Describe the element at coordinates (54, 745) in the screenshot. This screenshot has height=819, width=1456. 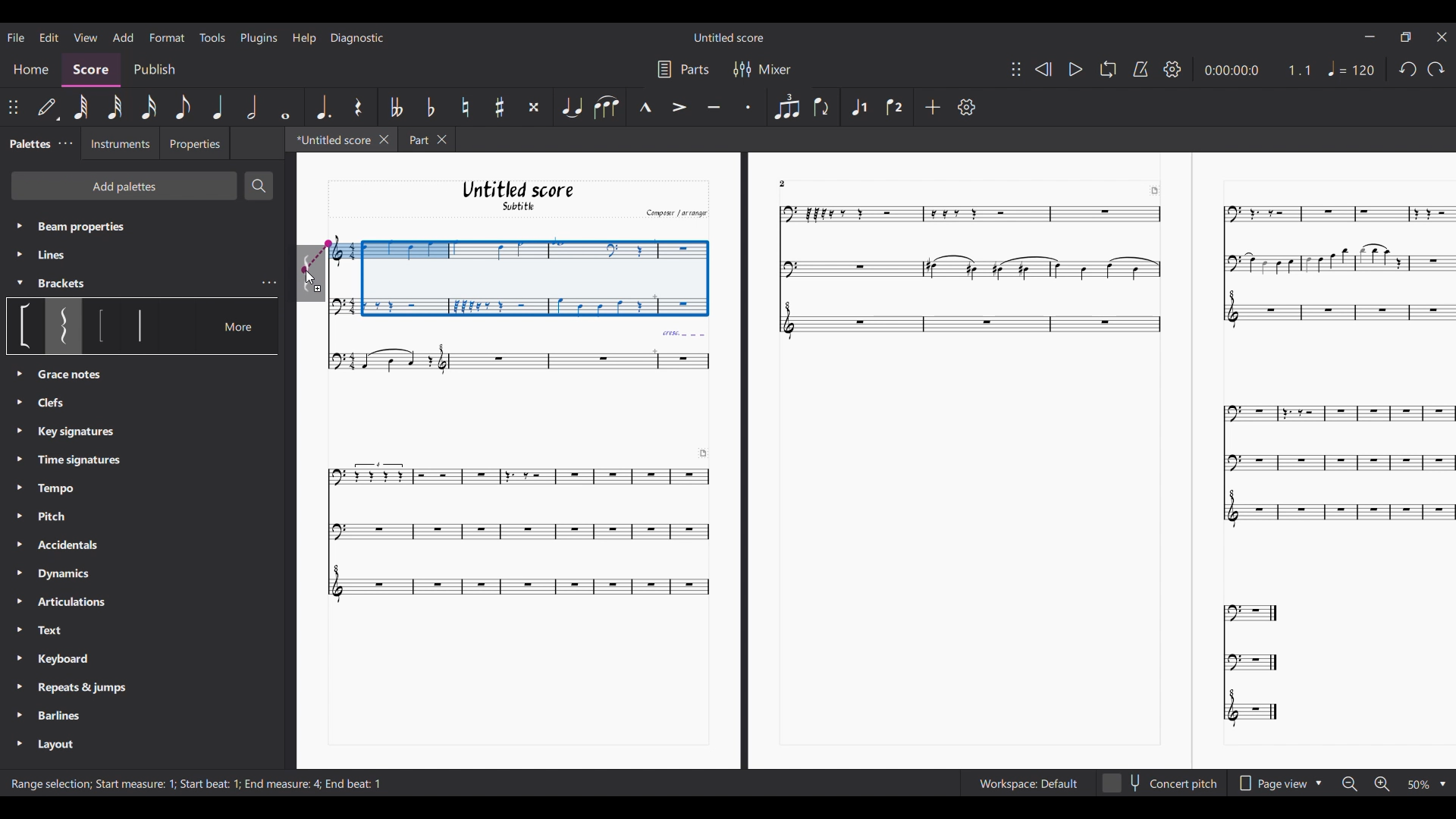
I see `Layout` at that location.